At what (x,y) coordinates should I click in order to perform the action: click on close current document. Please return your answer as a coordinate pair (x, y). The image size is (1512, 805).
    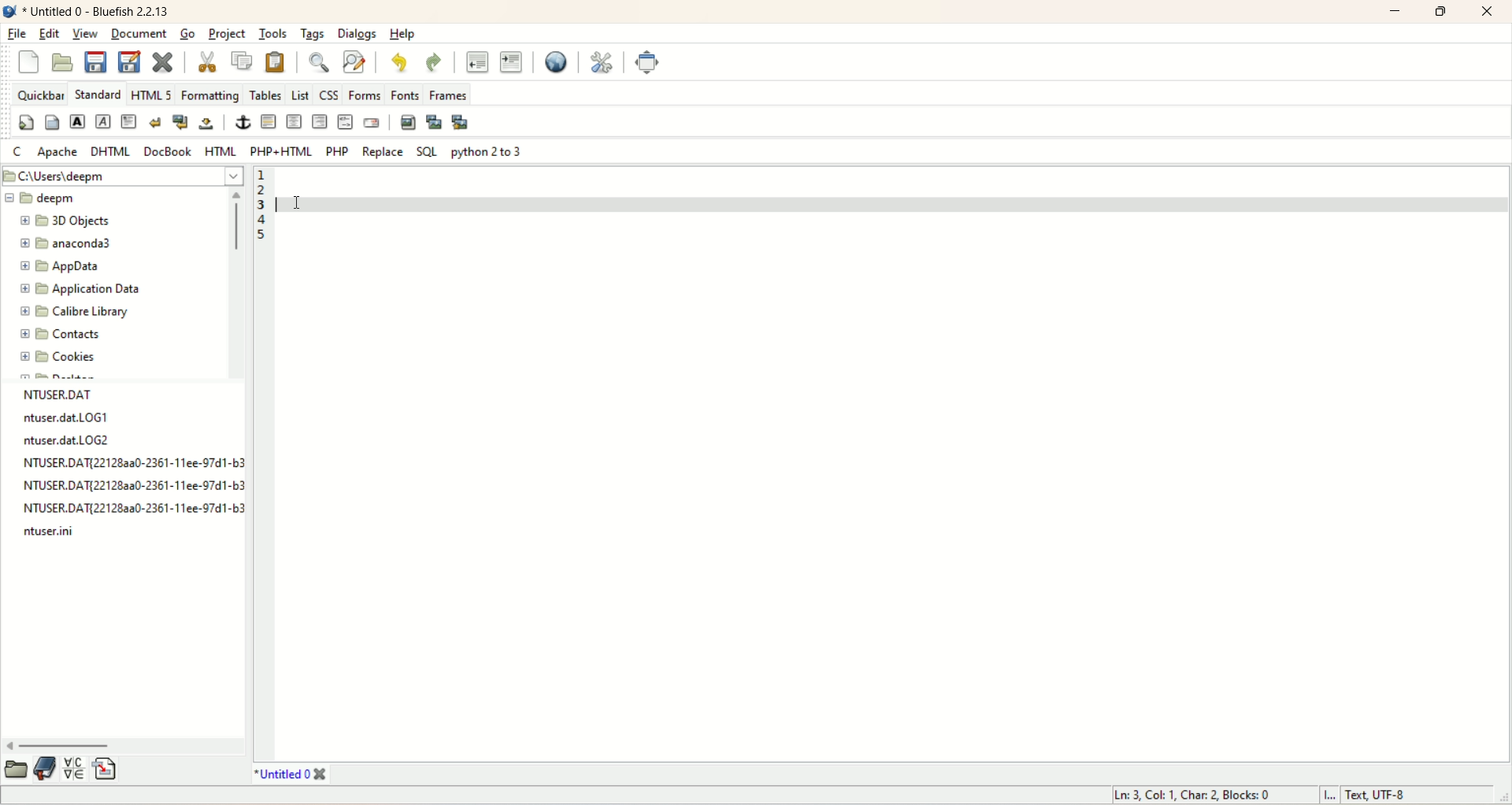
    Looking at the image, I should click on (165, 59).